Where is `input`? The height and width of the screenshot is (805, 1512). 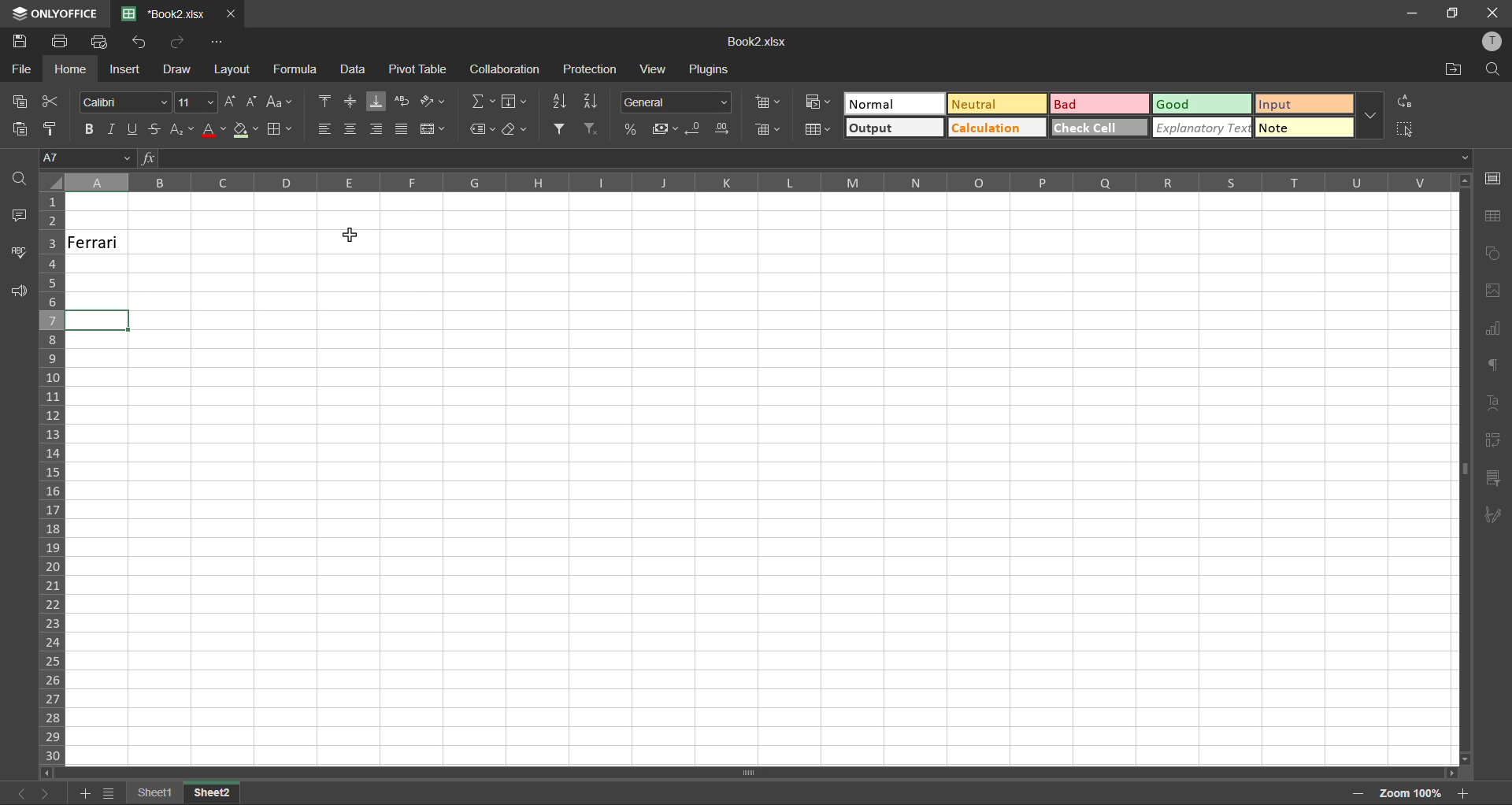
input is located at coordinates (1306, 105).